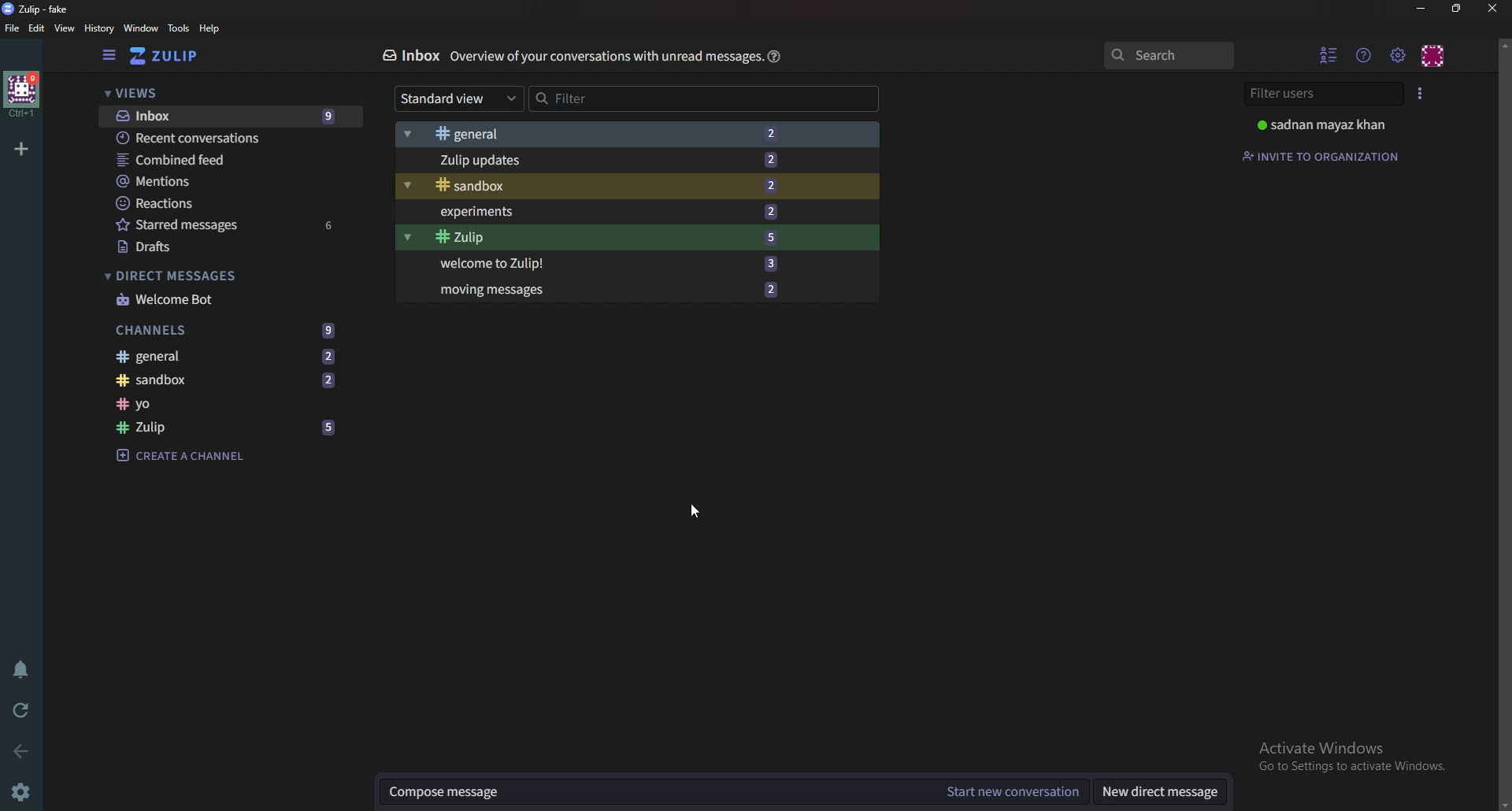 This screenshot has height=811, width=1512. I want to click on Home, so click(23, 93).